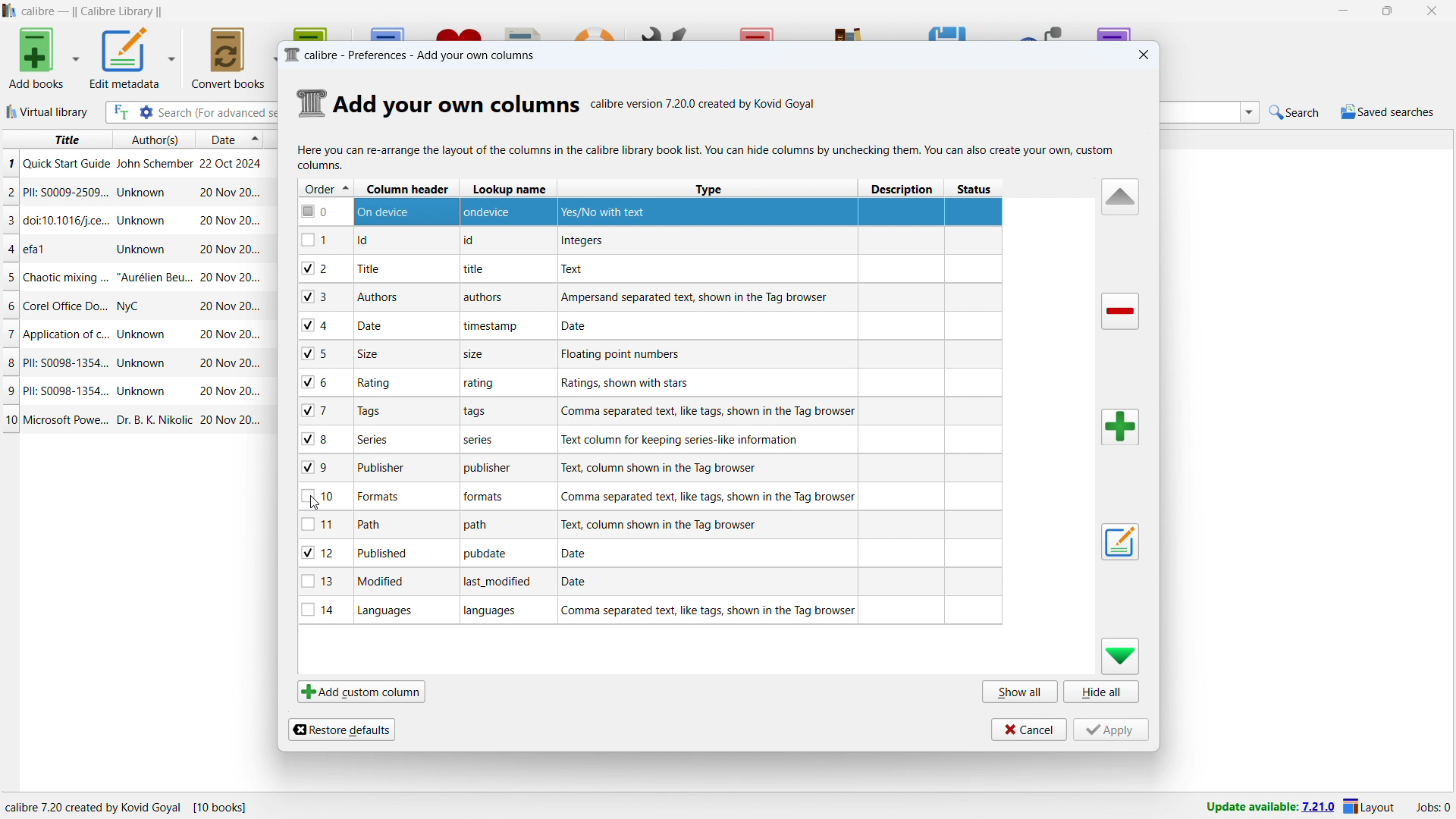 This screenshot has width=1456, height=819. I want to click on virtual library, so click(48, 112).